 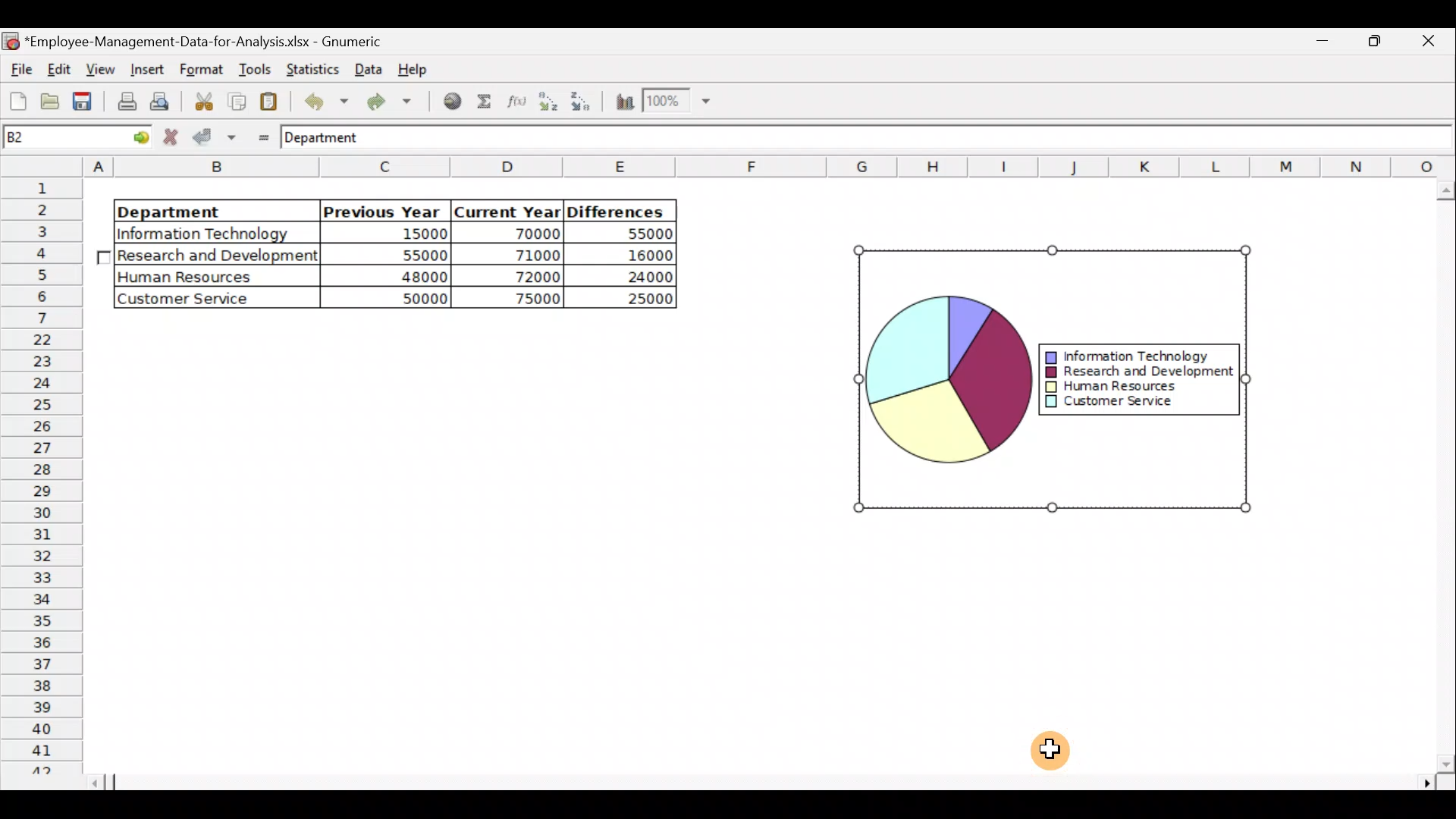 I want to click on Rows, so click(x=45, y=475).